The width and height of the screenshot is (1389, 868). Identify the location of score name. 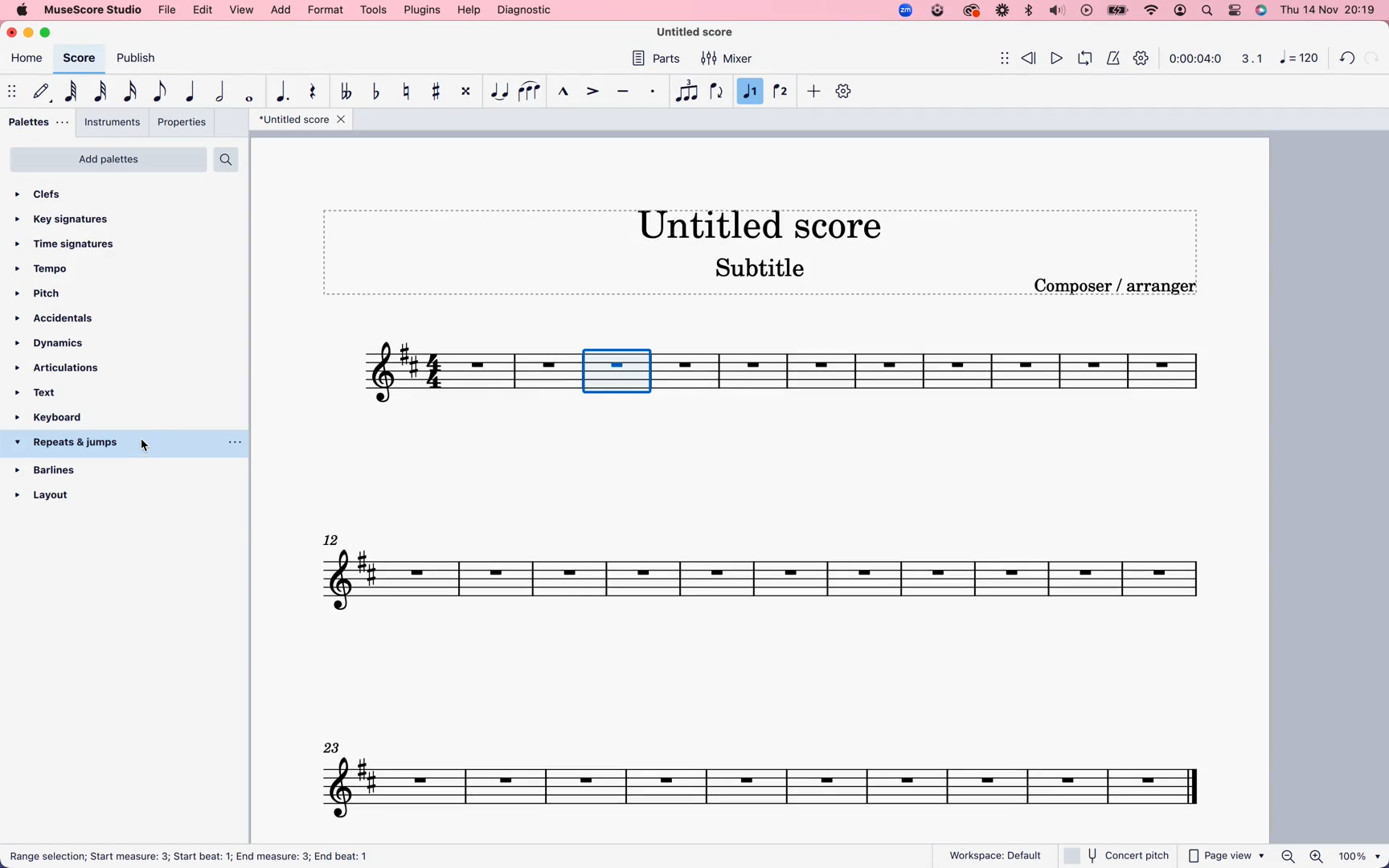
(301, 120).